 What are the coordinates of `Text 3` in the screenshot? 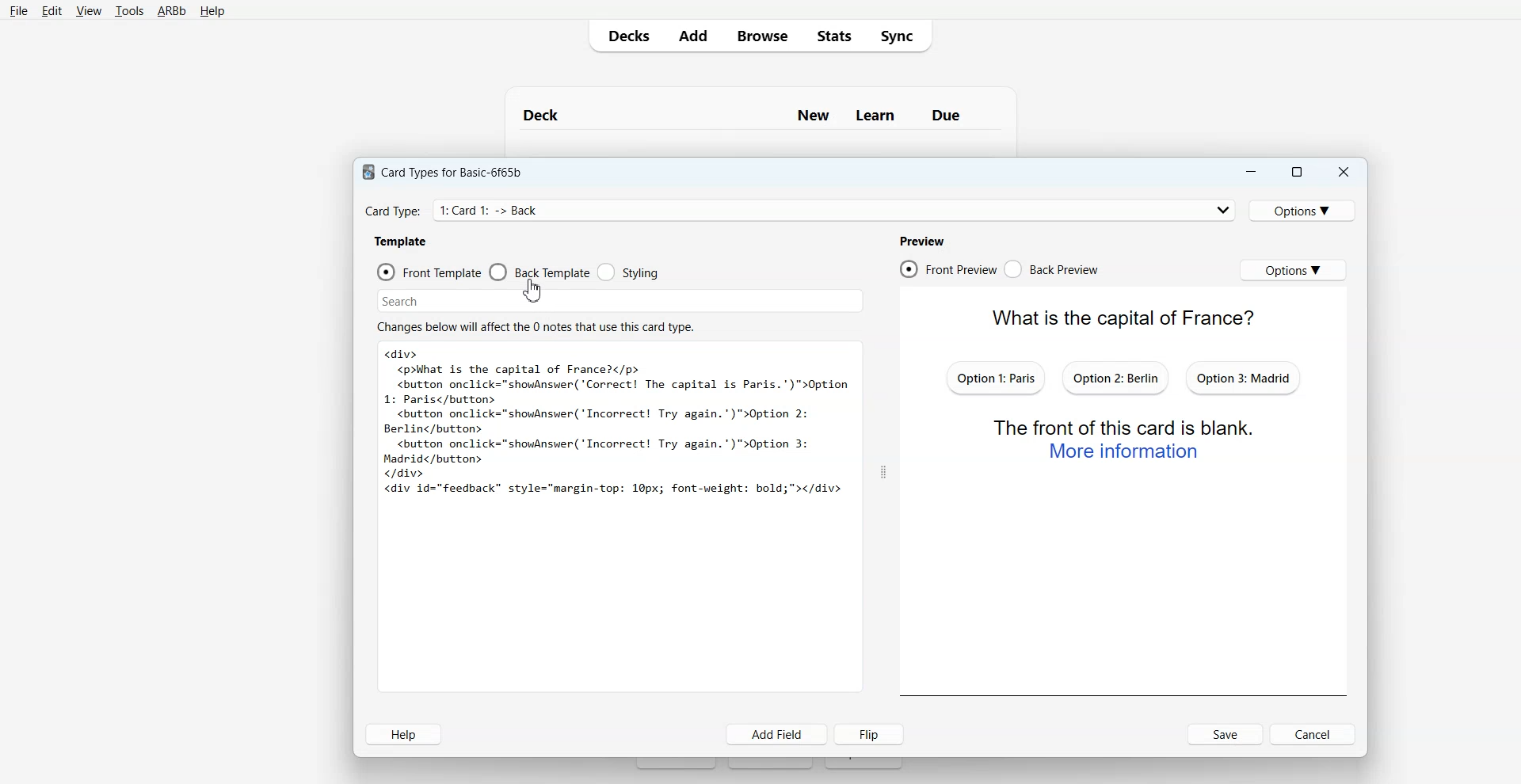 It's located at (537, 326).